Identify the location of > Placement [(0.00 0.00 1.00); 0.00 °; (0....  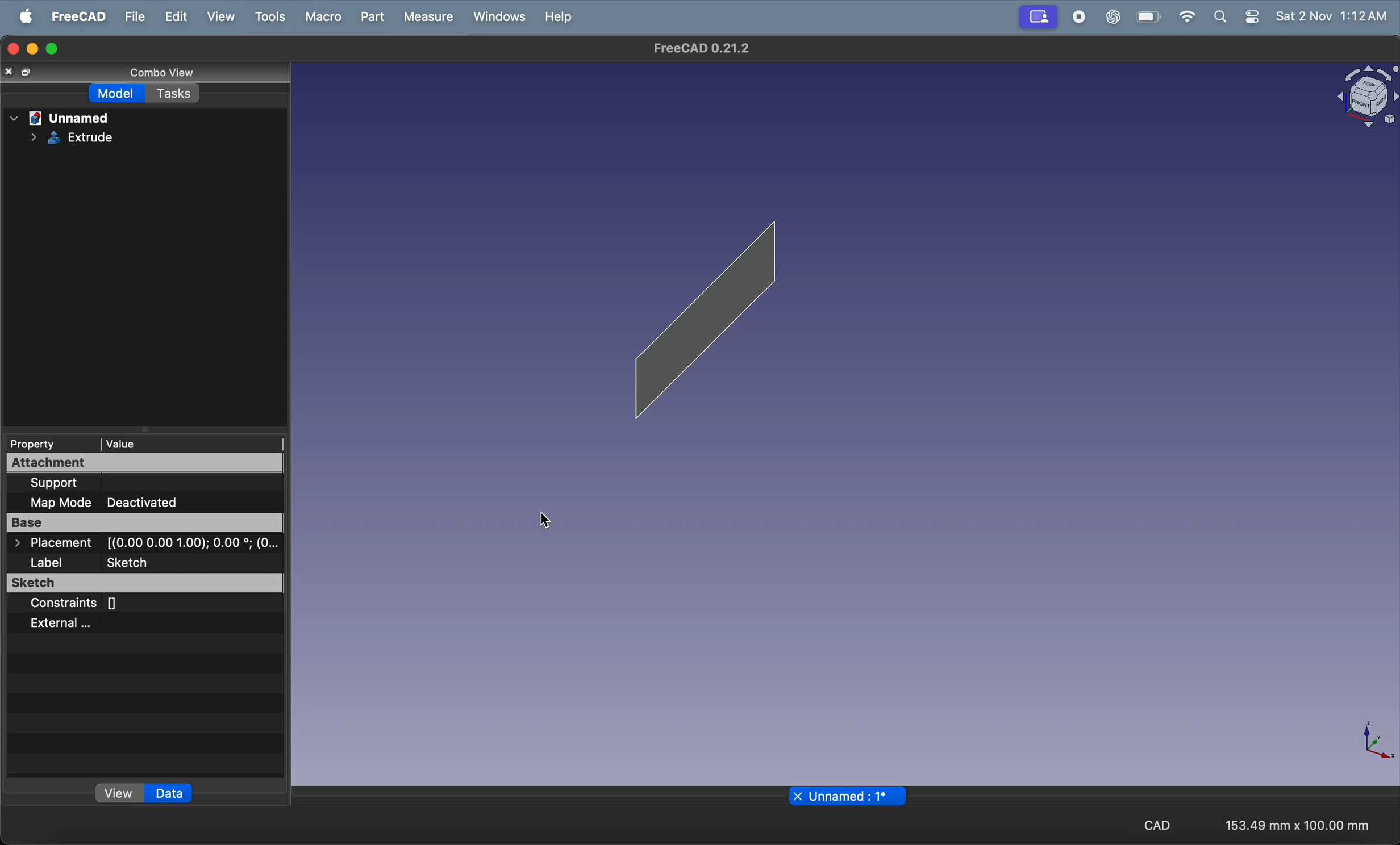
(144, 542).